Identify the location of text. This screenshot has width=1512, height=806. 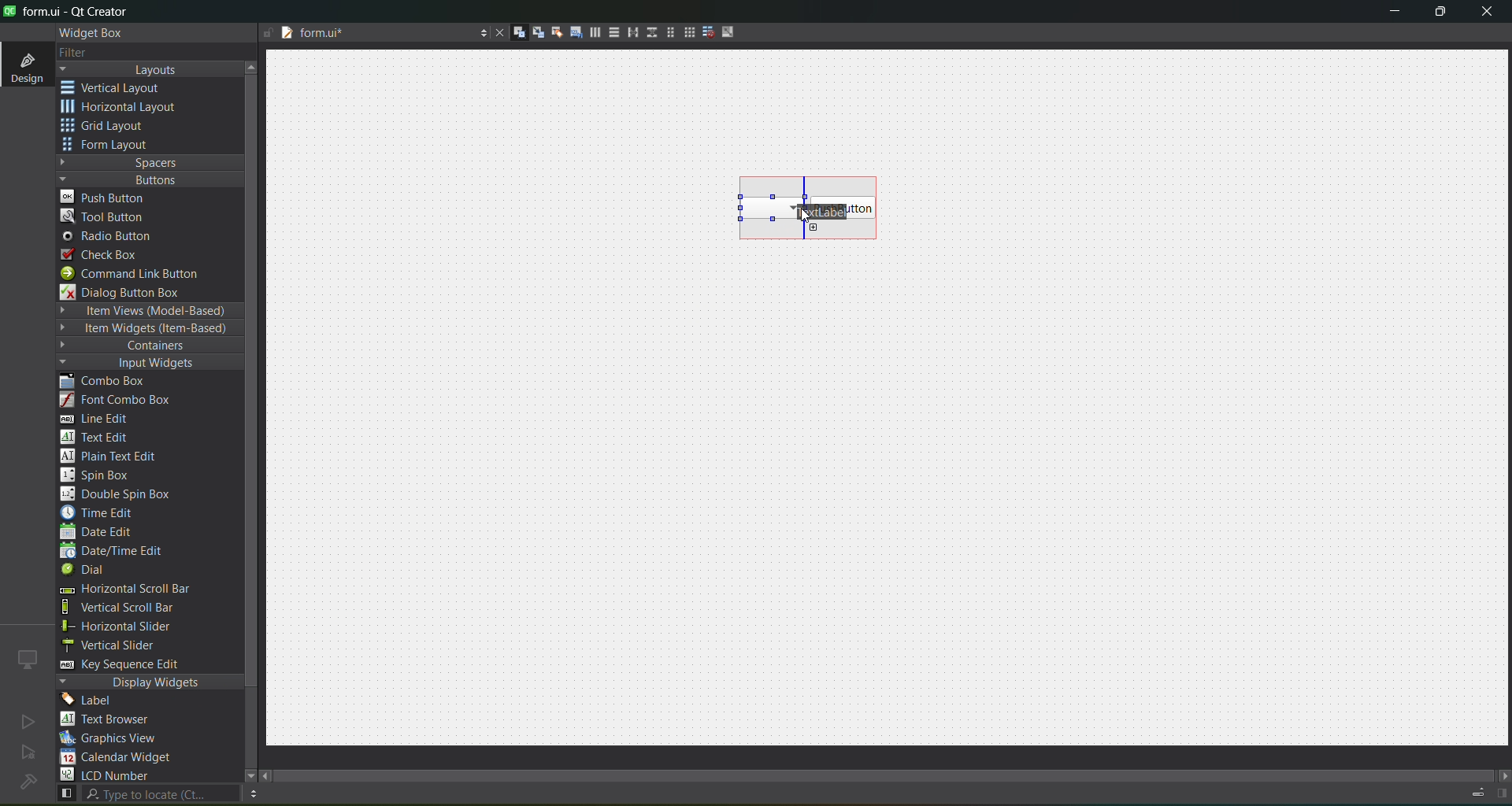
(114, 720).